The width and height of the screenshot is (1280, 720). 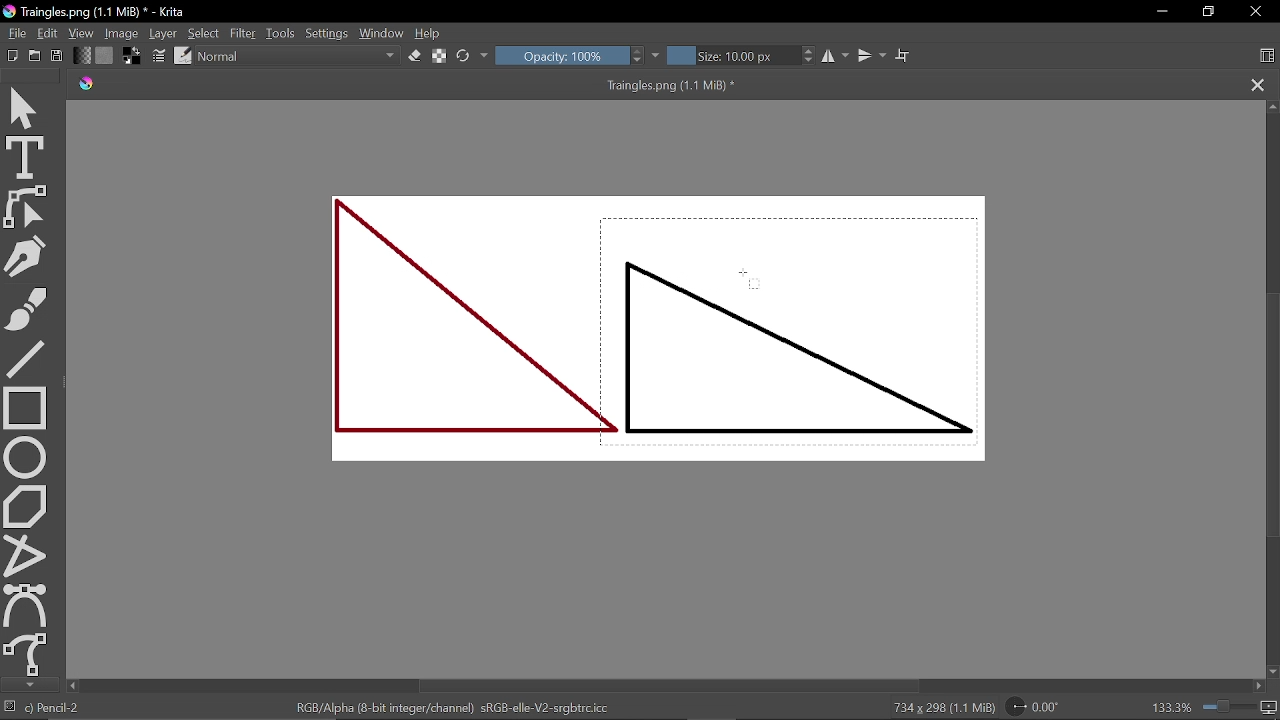 What do you see at coordinates (132, 56) in the screenshot?
I see `Background color` at bounding box center [132, 56].